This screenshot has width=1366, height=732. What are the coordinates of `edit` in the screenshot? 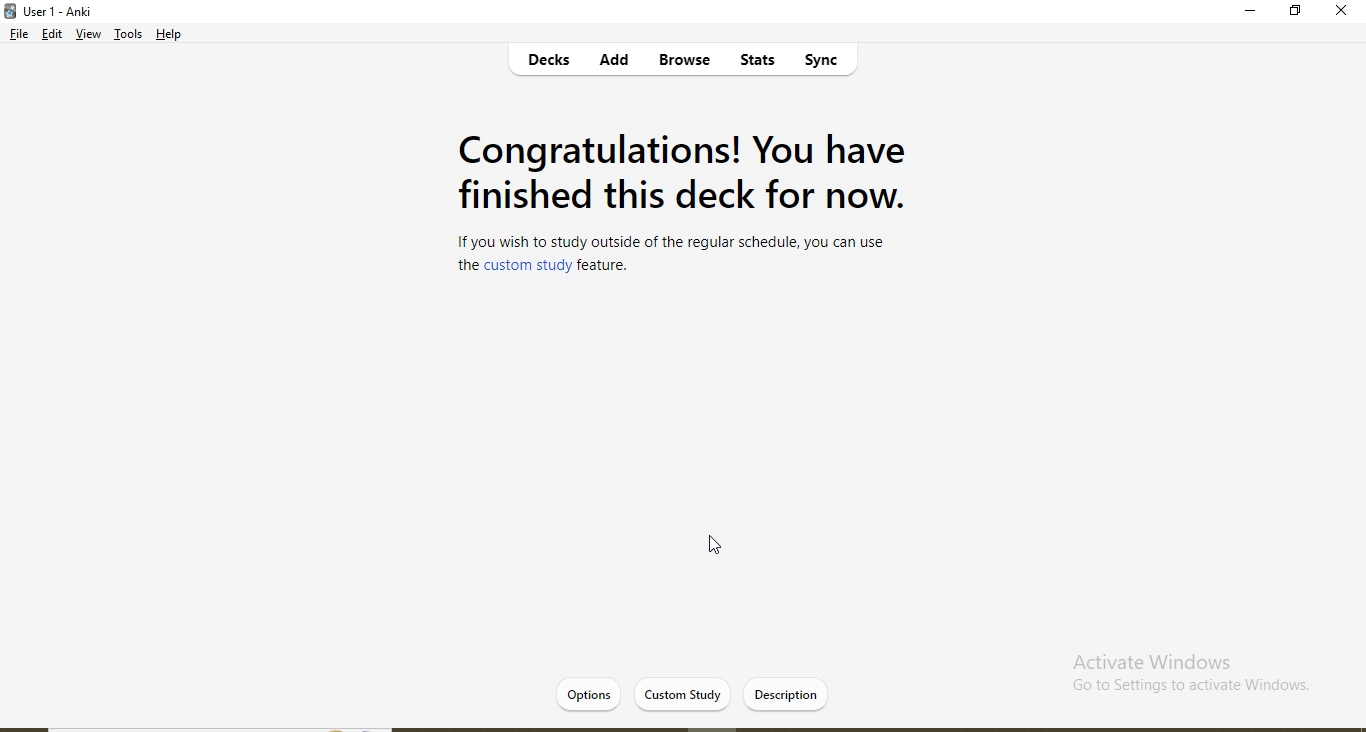 It's located at (53, 36).